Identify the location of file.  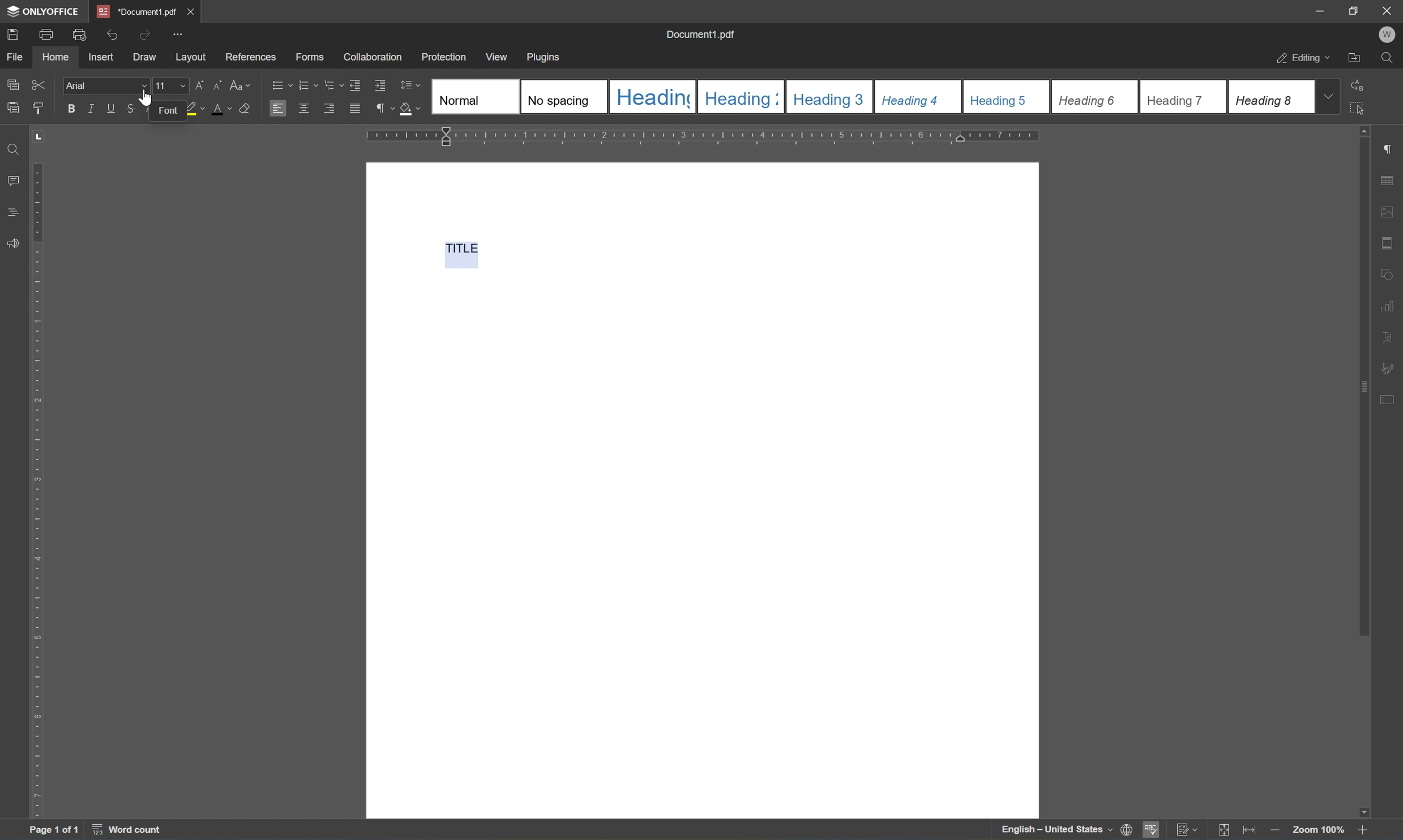
(15, 55).